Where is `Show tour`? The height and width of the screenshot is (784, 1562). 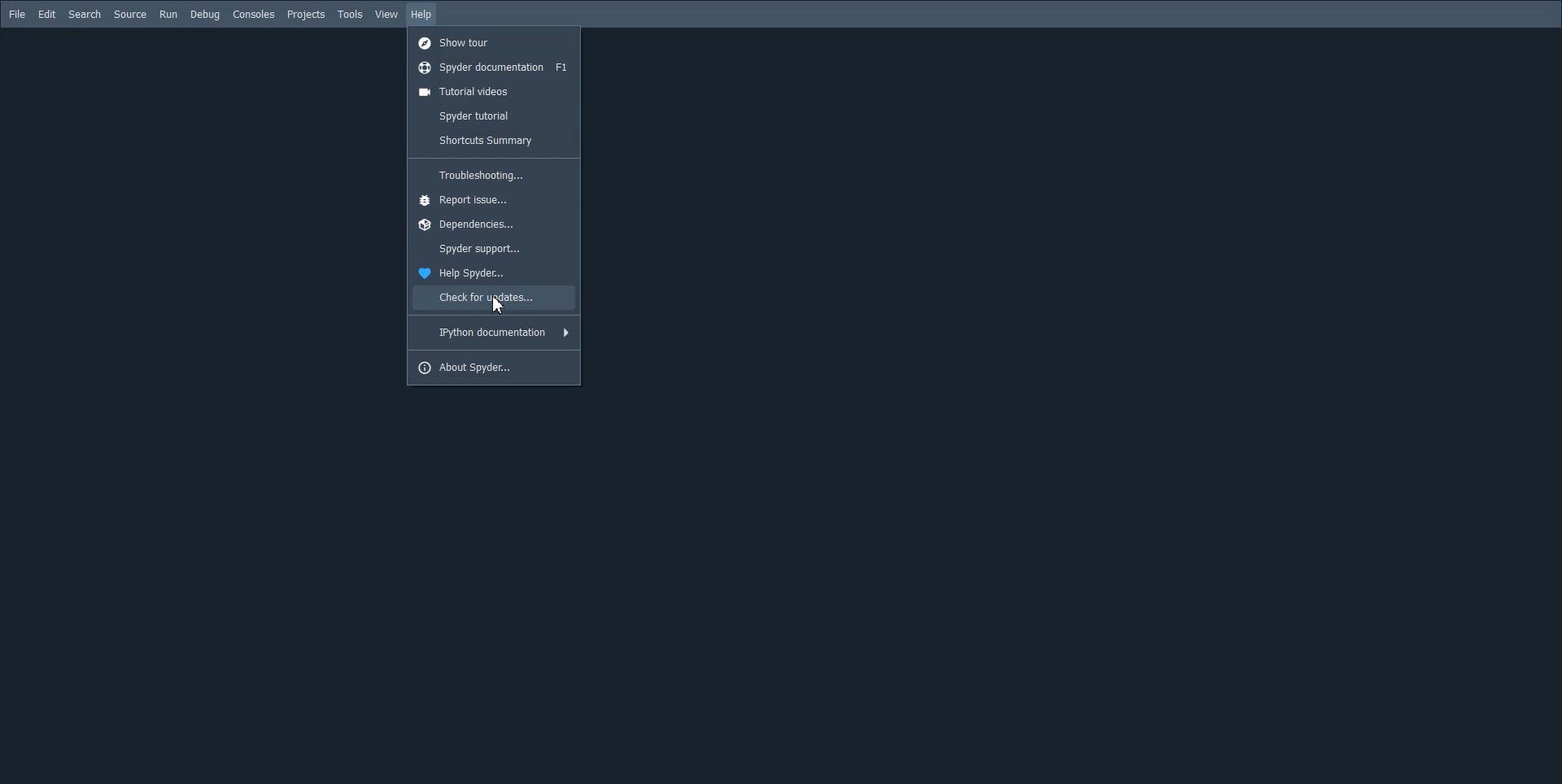
Show tour is located at coordinates (495, 42).